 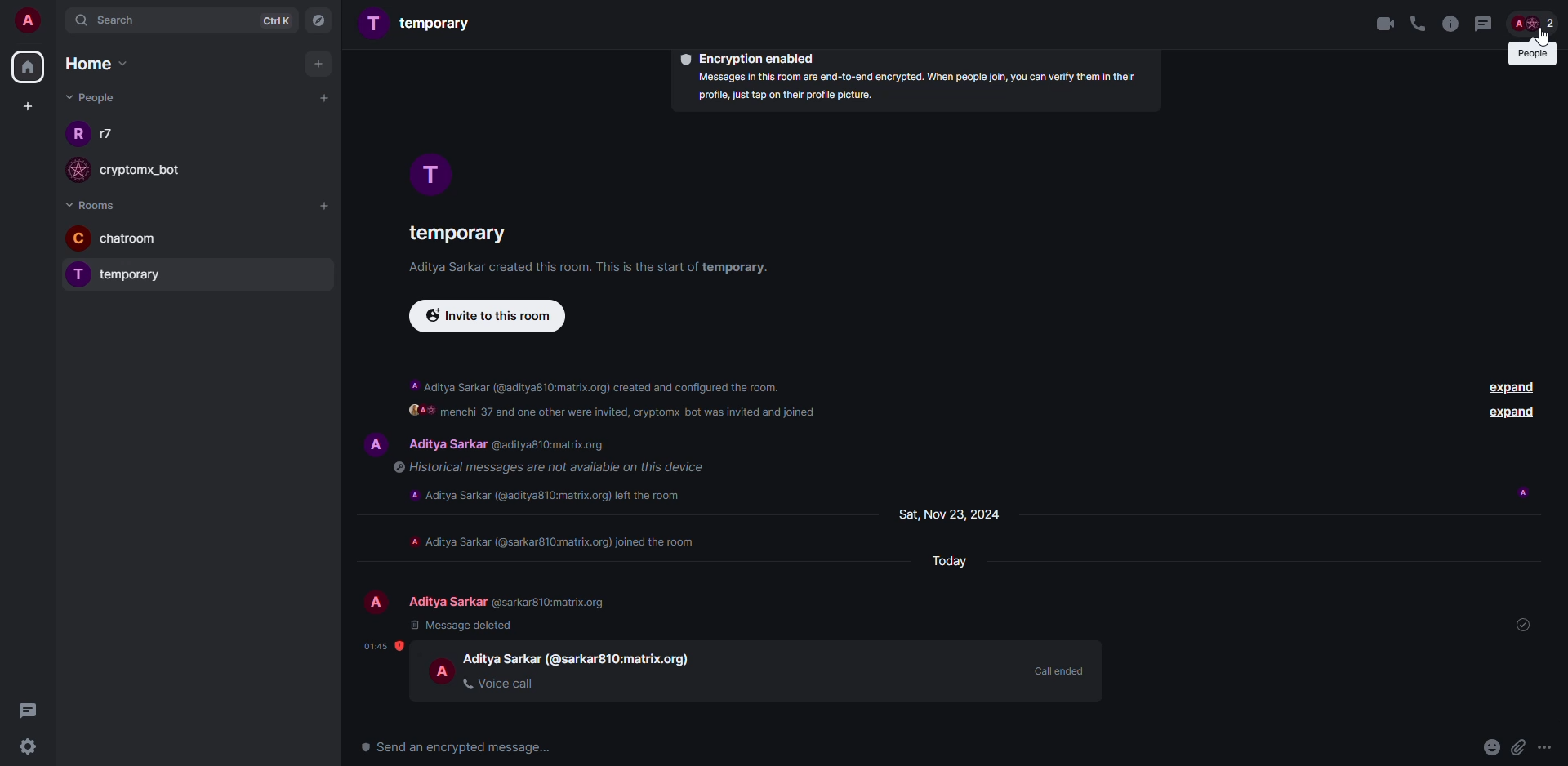 What do you see at coordinates (383, 646) in the screenshot?
I see `time` at bounding box center [383, 646].